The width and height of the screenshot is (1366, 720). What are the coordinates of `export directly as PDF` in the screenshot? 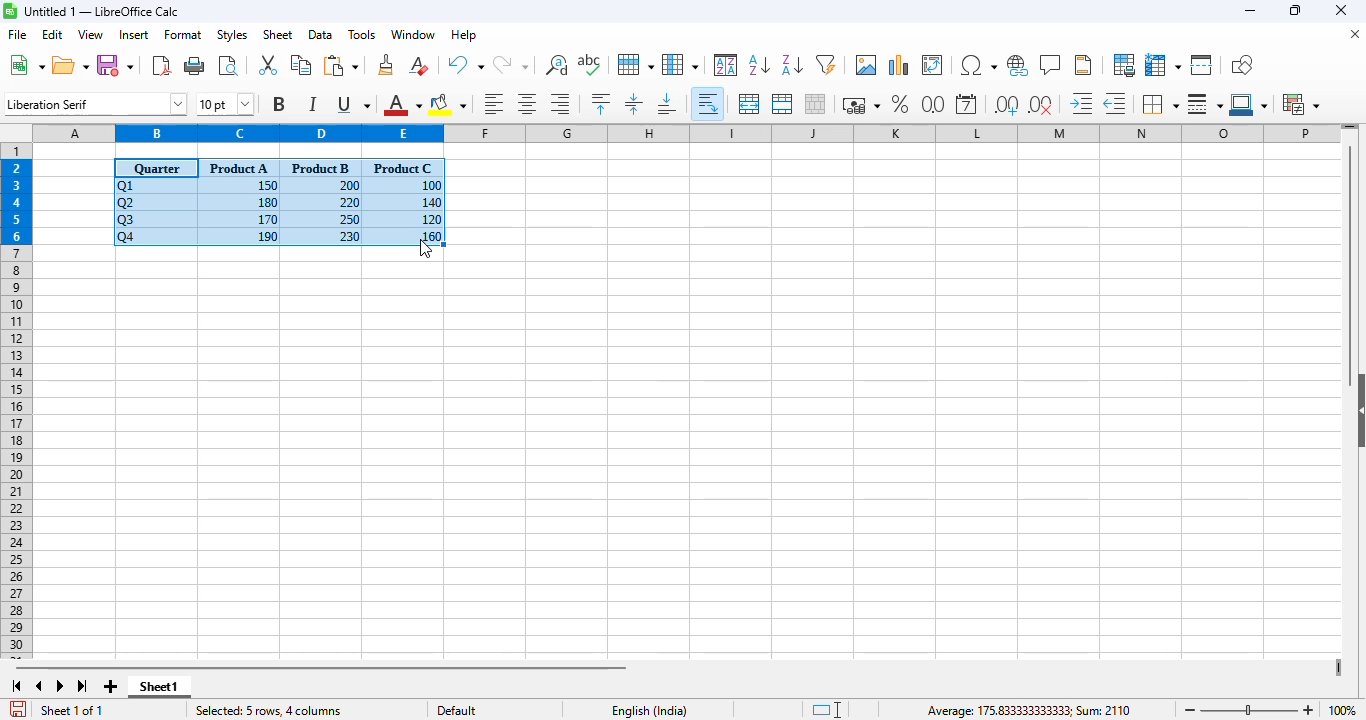 It's located at (161, 64).